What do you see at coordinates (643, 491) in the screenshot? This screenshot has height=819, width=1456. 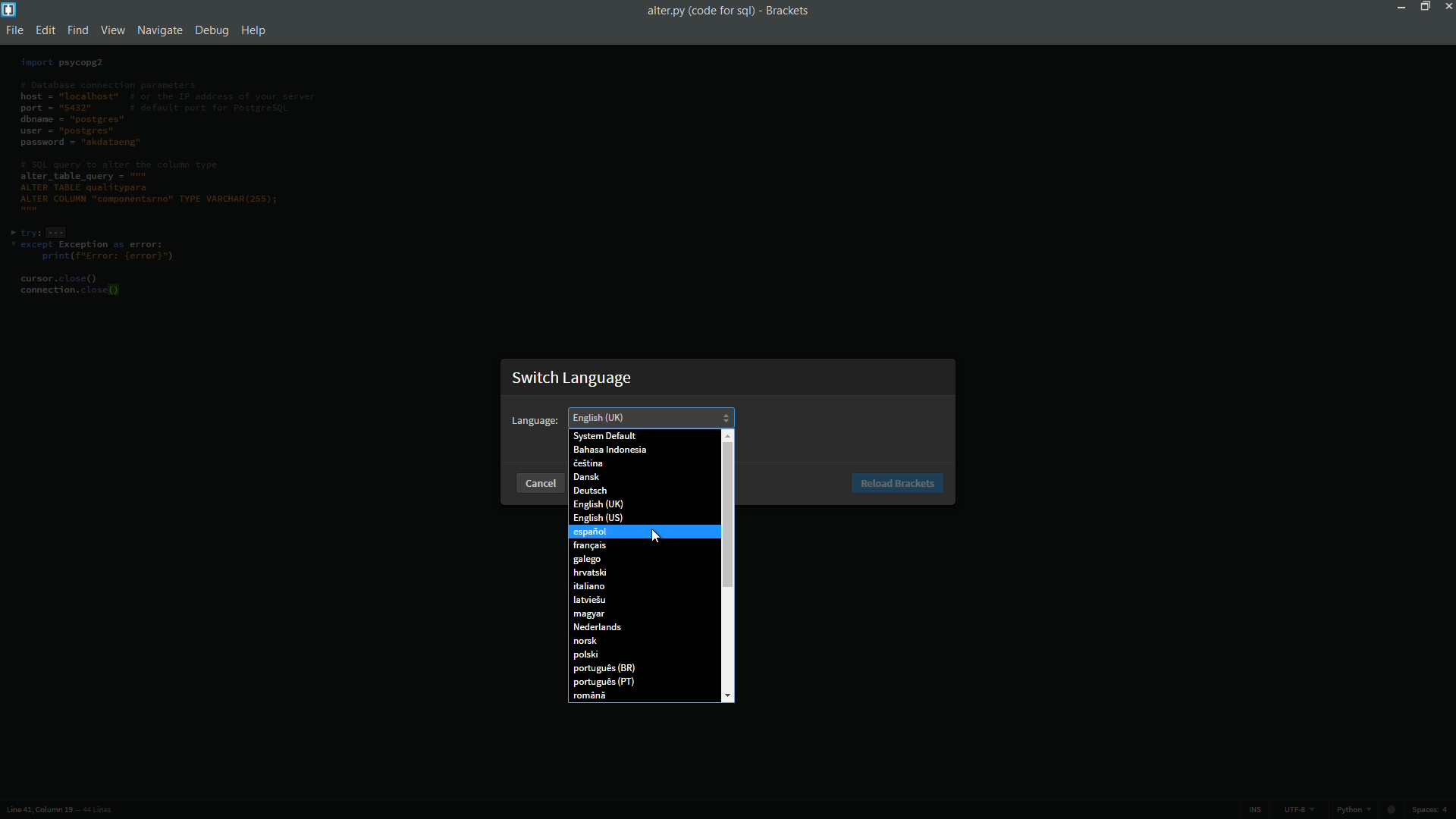 I see `Deutsch` at bounding box center [643, 491].